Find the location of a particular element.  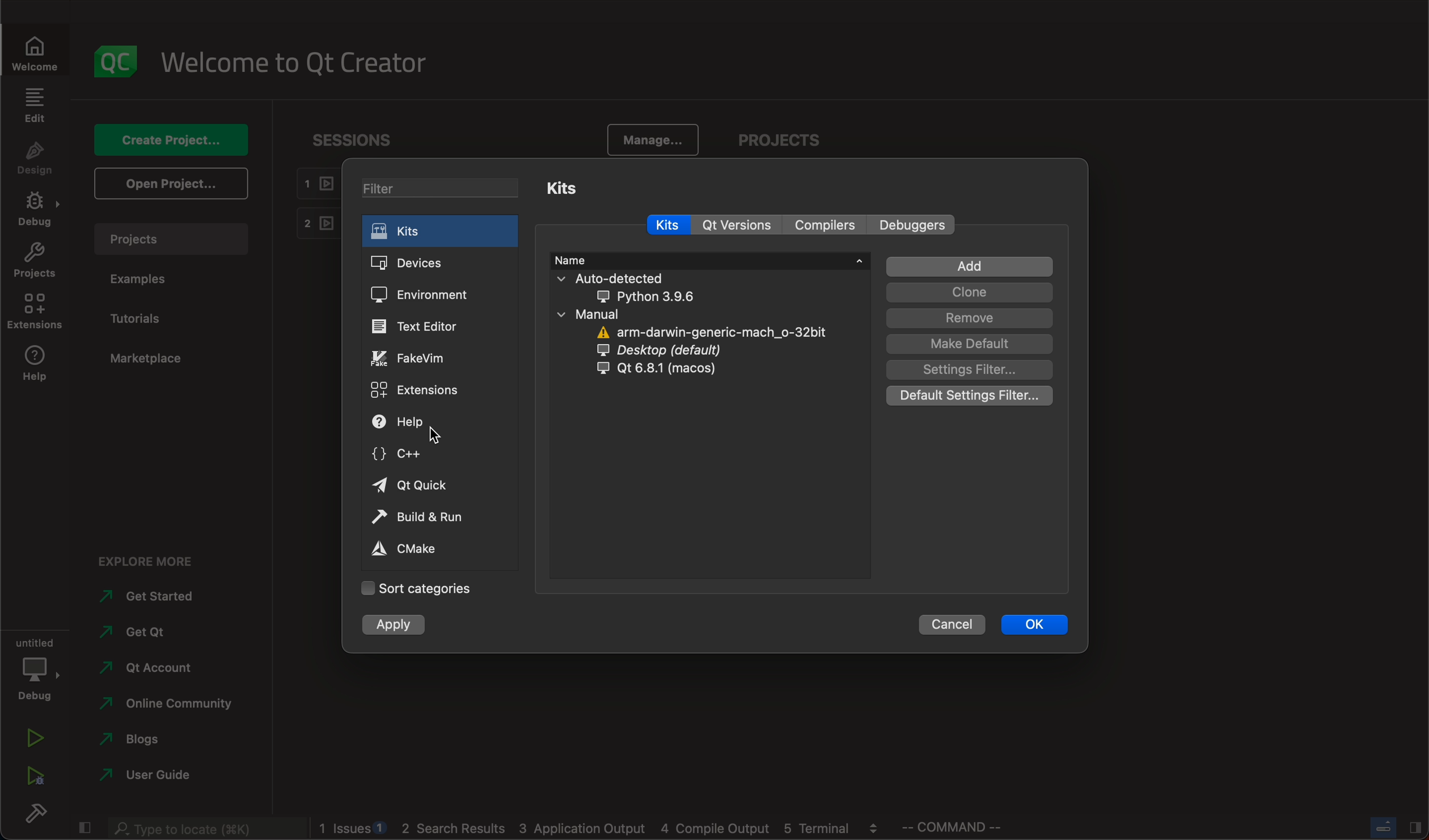

debug is located at coordinates (37, 212).